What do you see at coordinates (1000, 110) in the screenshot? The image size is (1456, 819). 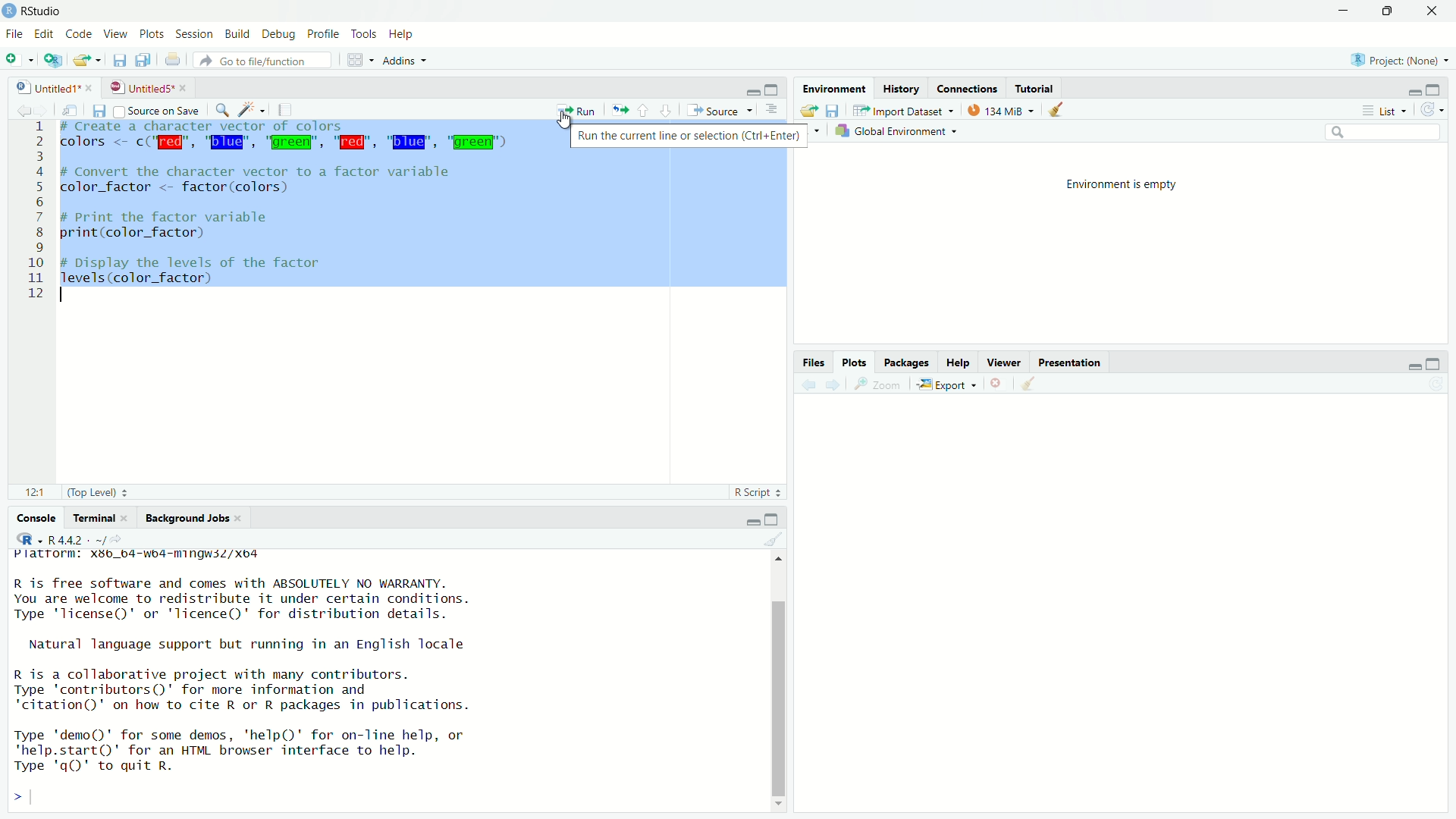 I see `134 MiB` at bounding box center [1000, 110].